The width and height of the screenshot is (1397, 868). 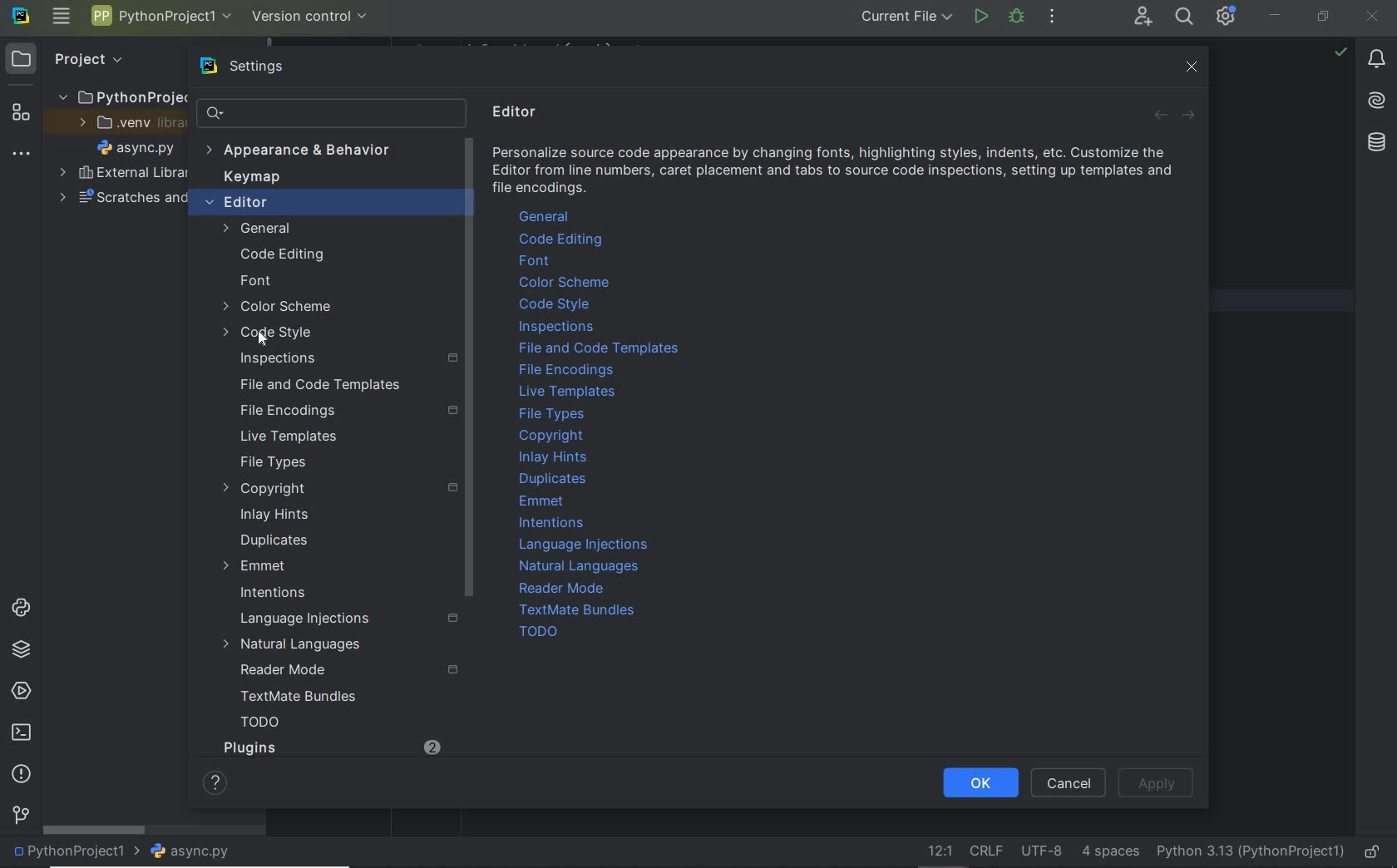 What do you see at coordinates (555, 304) in the screenshot?
I see `code style` at bounding box center [555, 304].